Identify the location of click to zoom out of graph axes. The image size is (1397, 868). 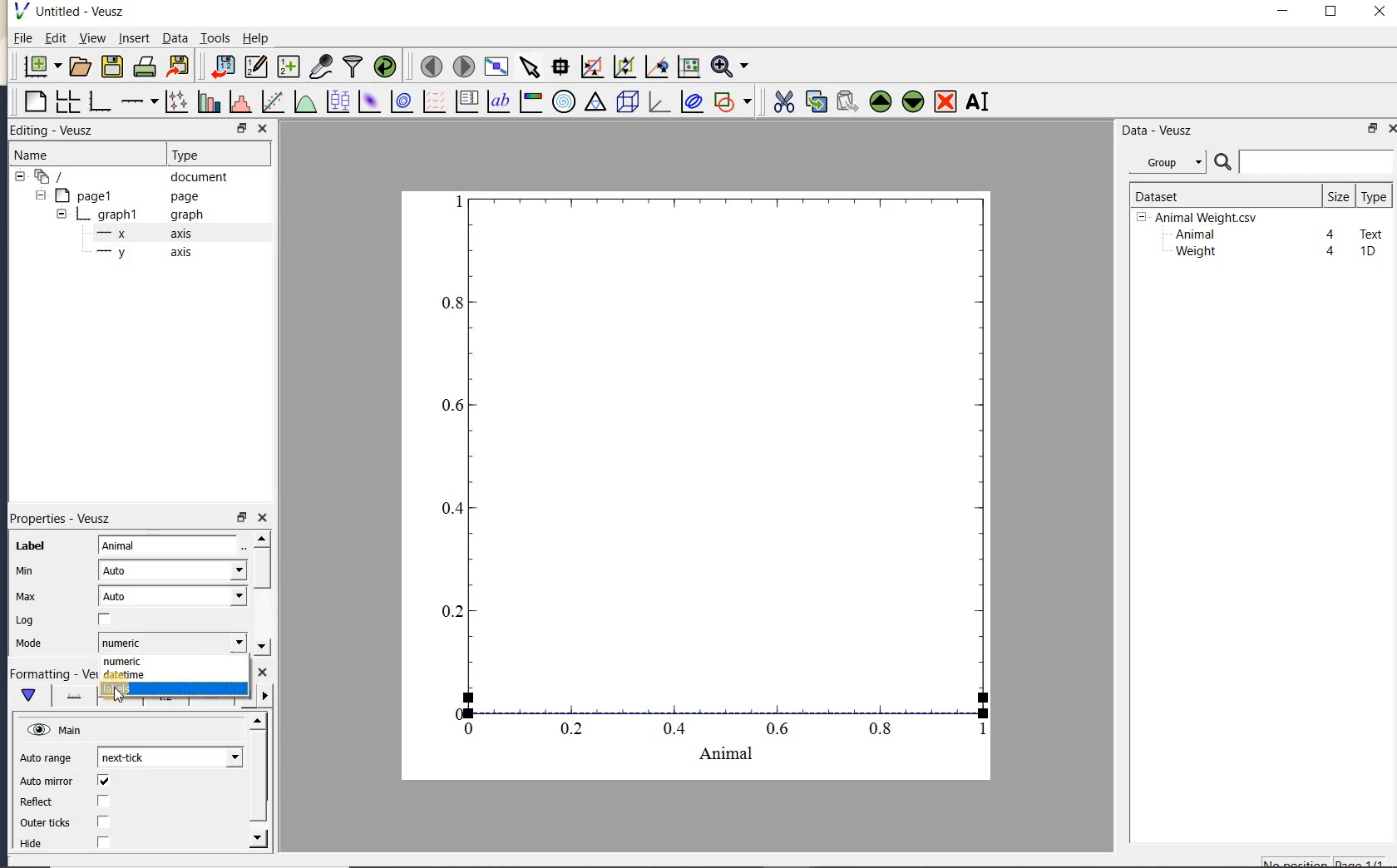
(625, 66).